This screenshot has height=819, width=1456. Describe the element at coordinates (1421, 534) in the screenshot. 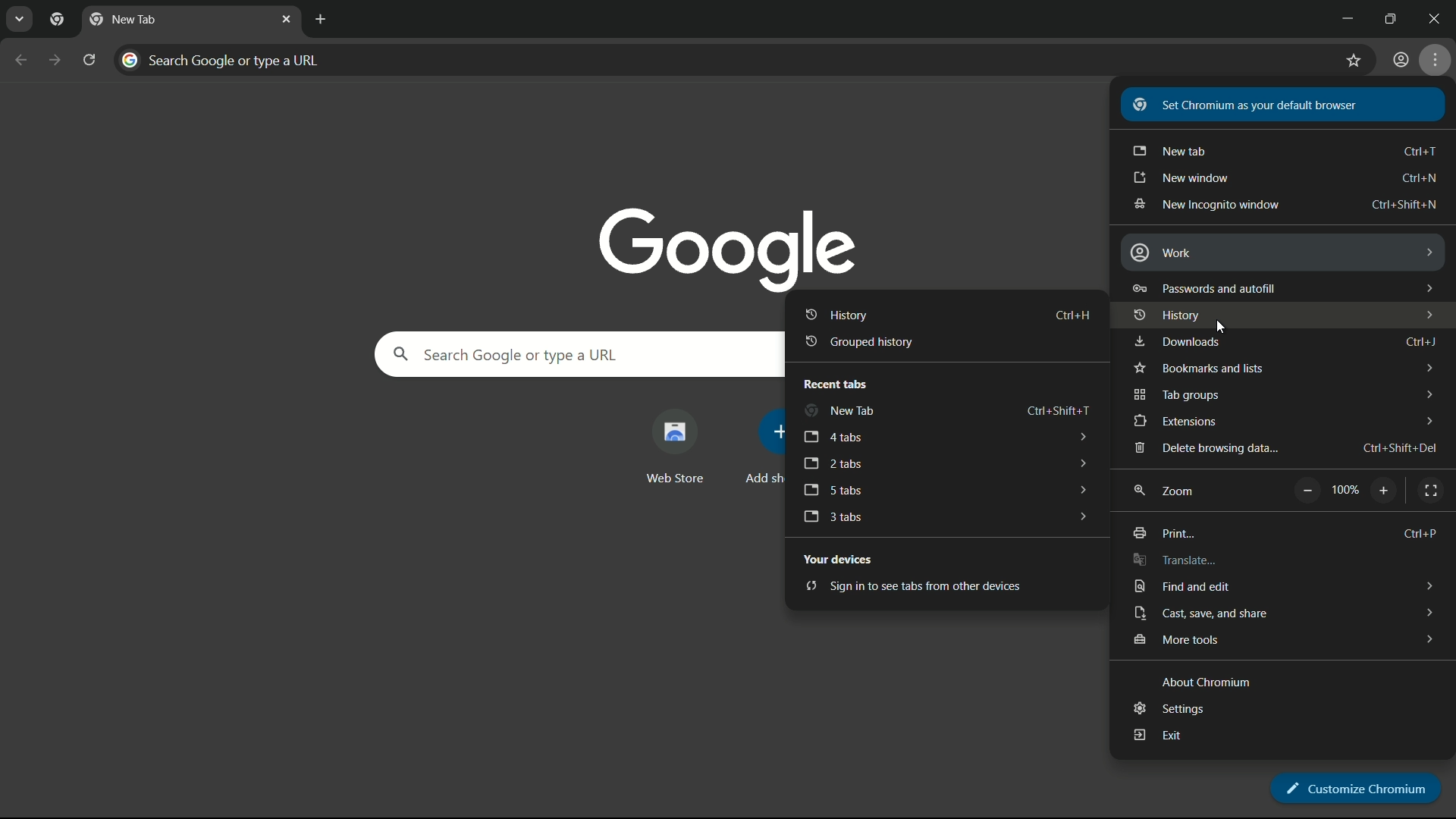

I see `Ctrl + P` at that location.